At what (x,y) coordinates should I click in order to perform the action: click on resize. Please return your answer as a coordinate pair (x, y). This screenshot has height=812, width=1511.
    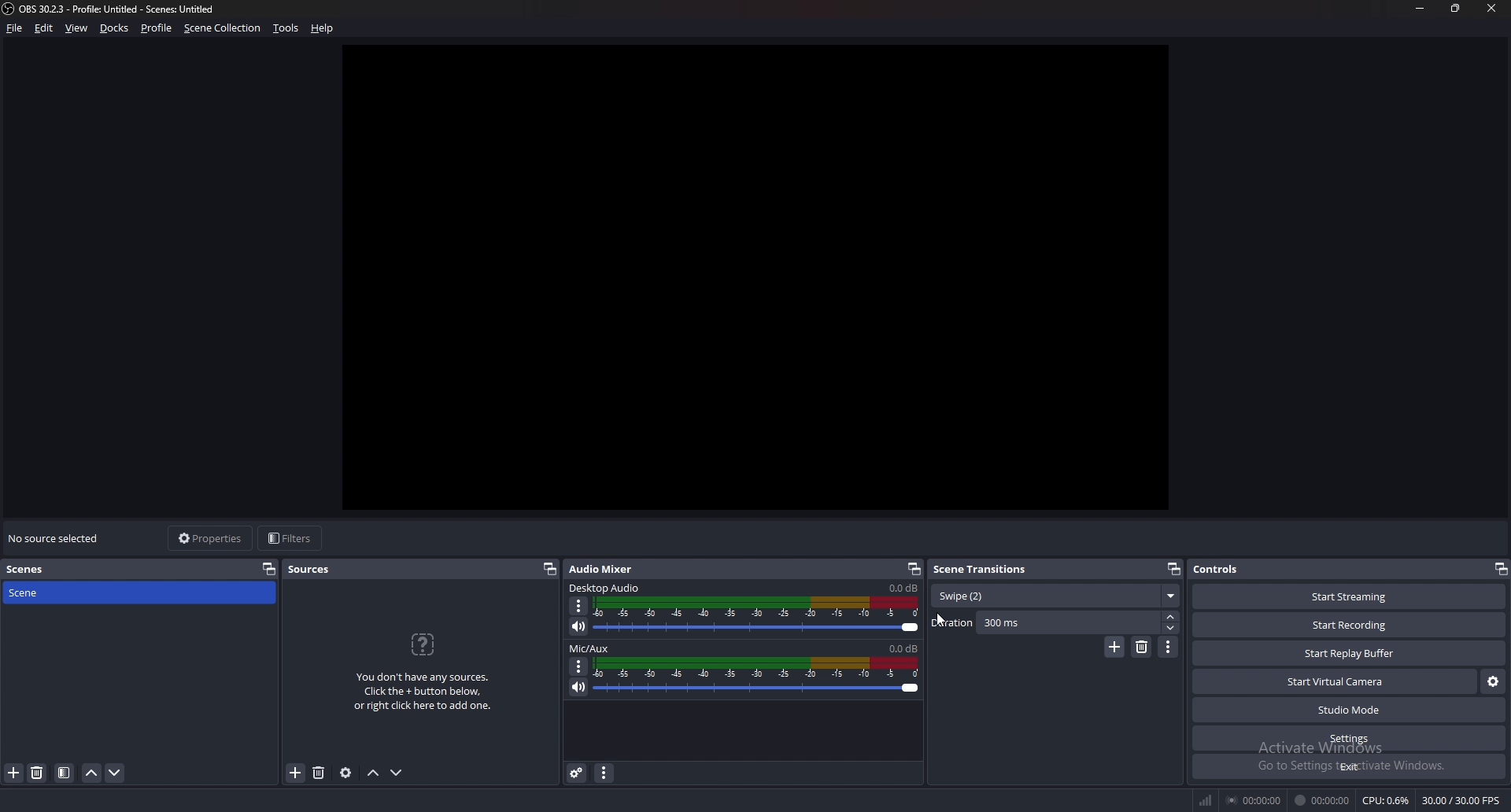
    Looking at the image, I should click on (1456, 9).